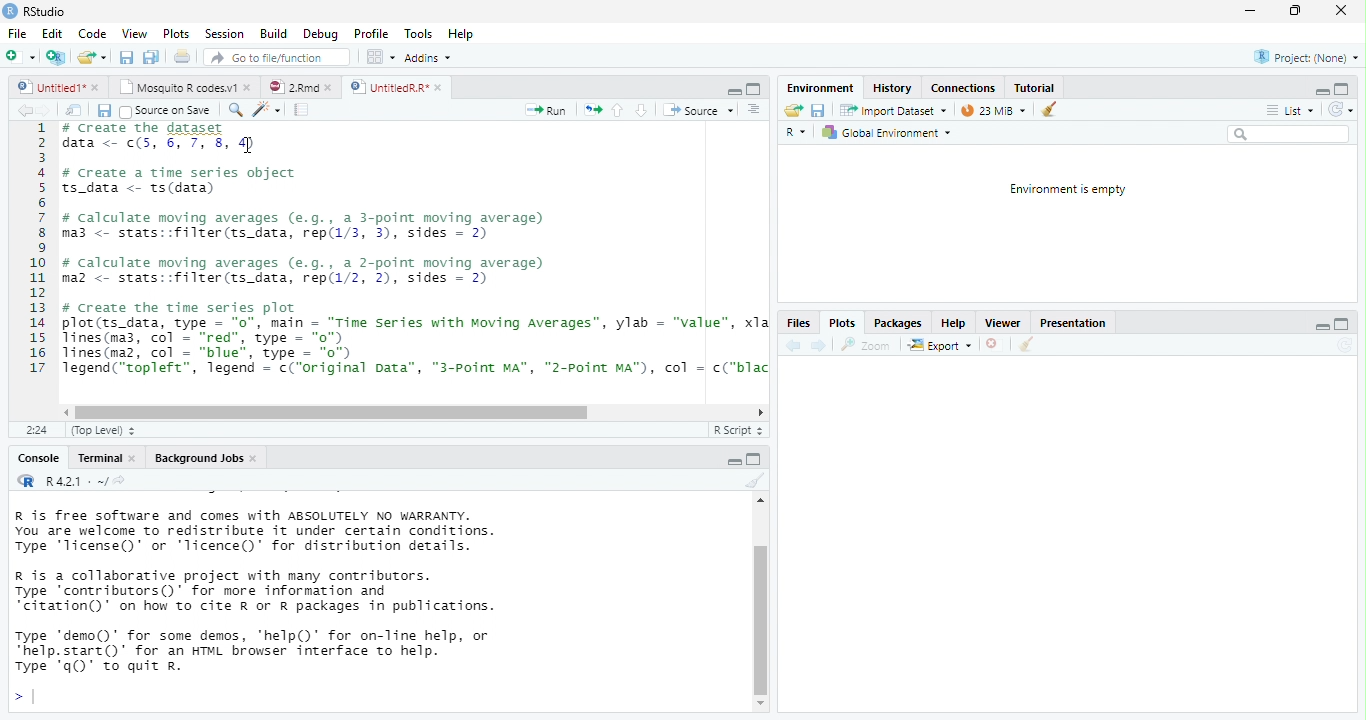 The height and width of the screenshot is (720, 1366). Describe the element at coordinates (48, 111) in the screenshot. I see `next` at that location.